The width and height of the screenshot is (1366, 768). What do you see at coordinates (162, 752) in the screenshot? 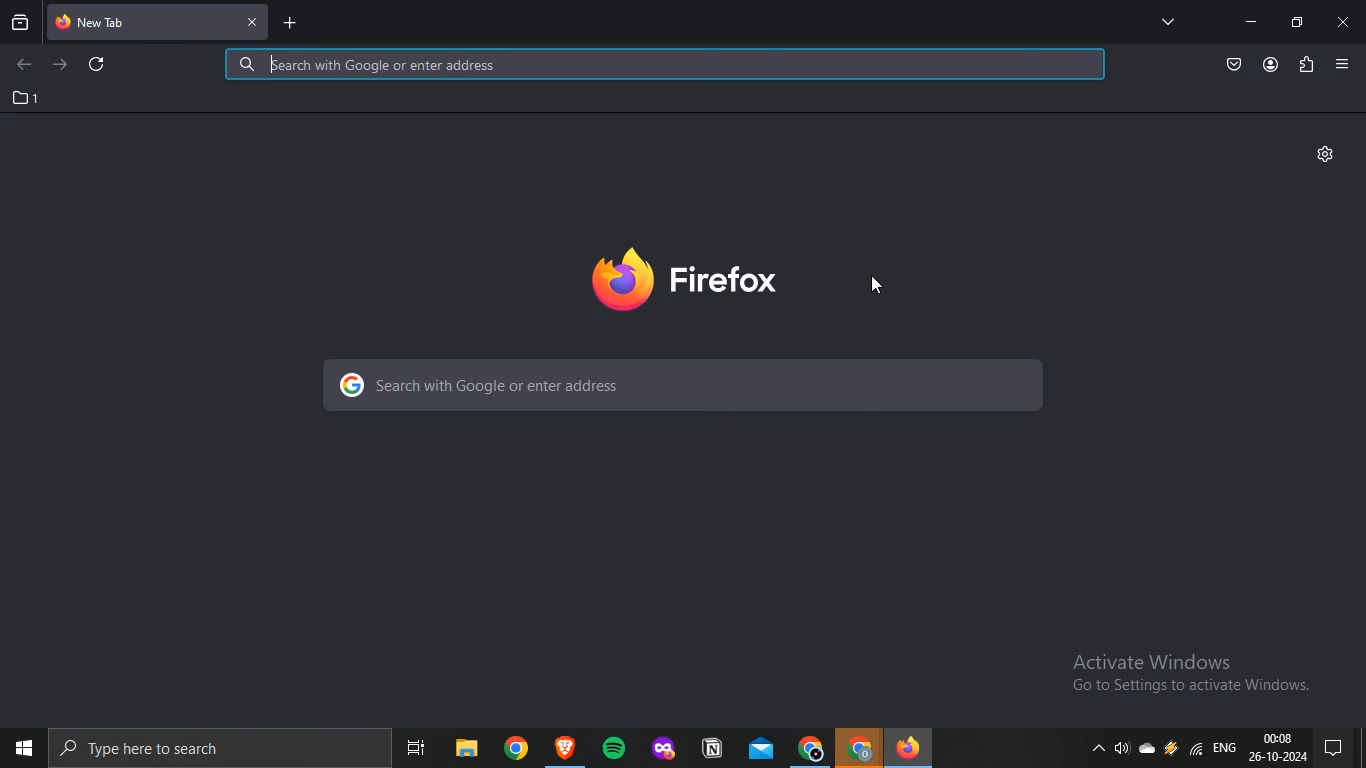
I see `Type here to search` at bounding box center [162, 752].